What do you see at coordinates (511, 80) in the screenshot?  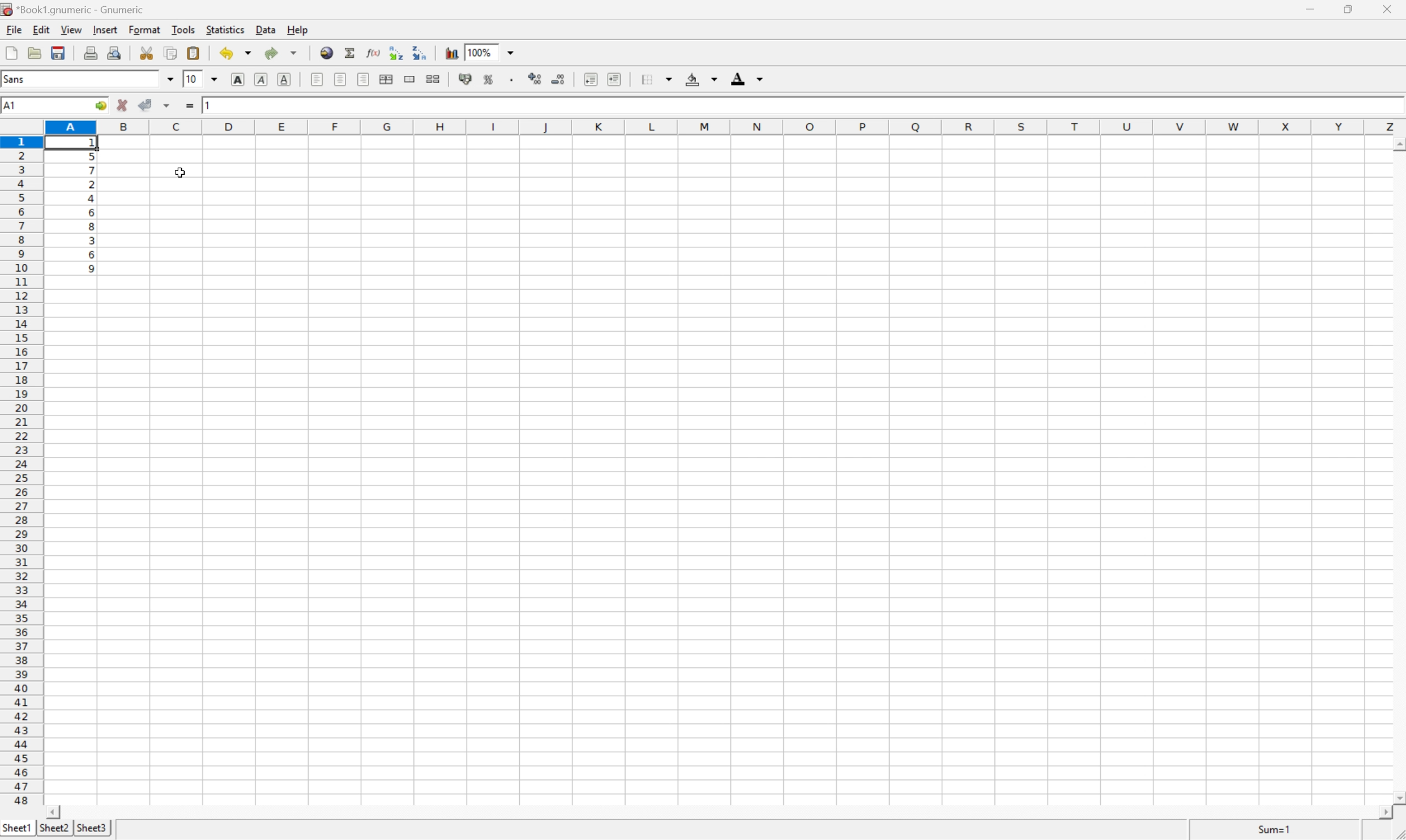 I see `Set the format of the selected cells to include a thousands separator` at bounding box center [511, 80].